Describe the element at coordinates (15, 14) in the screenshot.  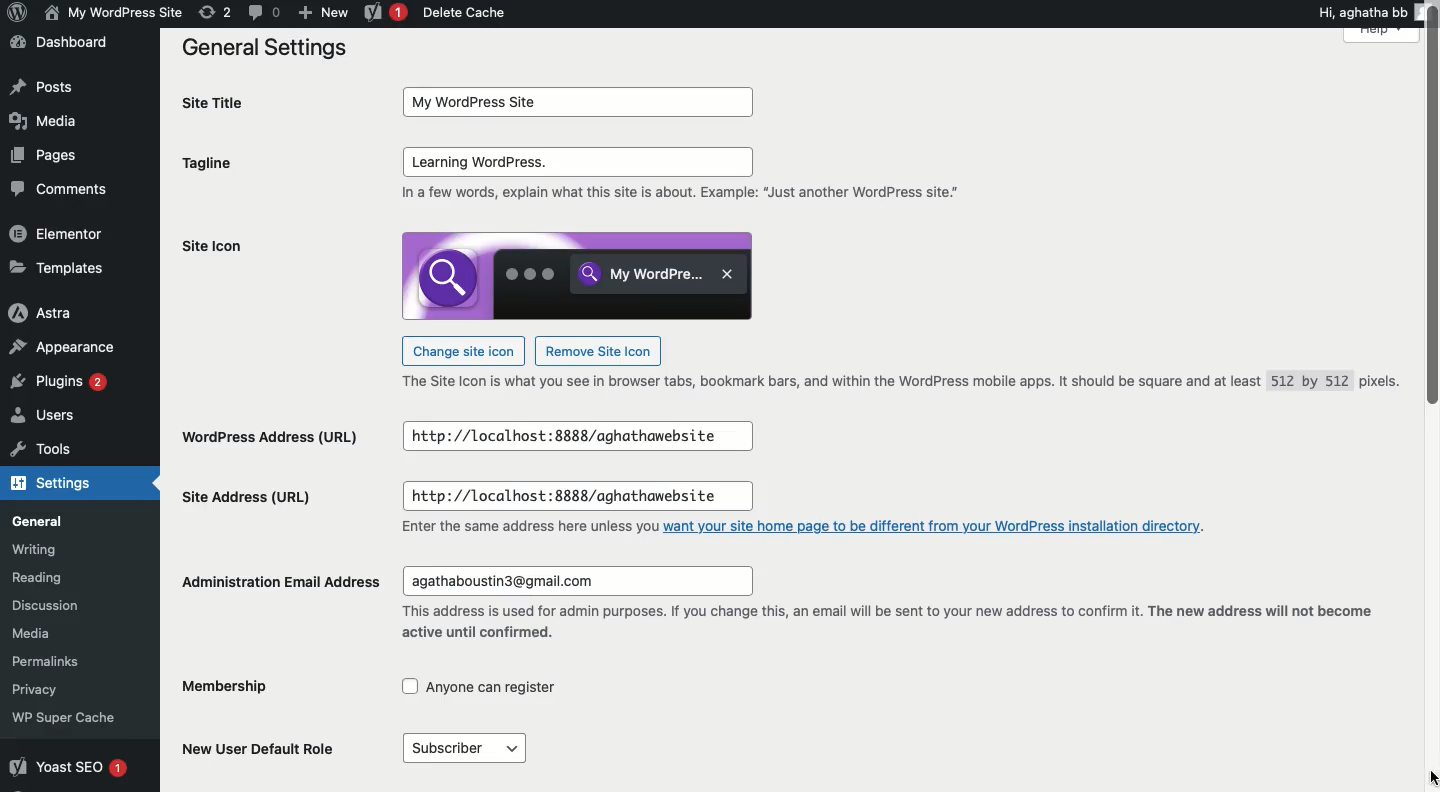
I see `Wordpress Logo` at that location.